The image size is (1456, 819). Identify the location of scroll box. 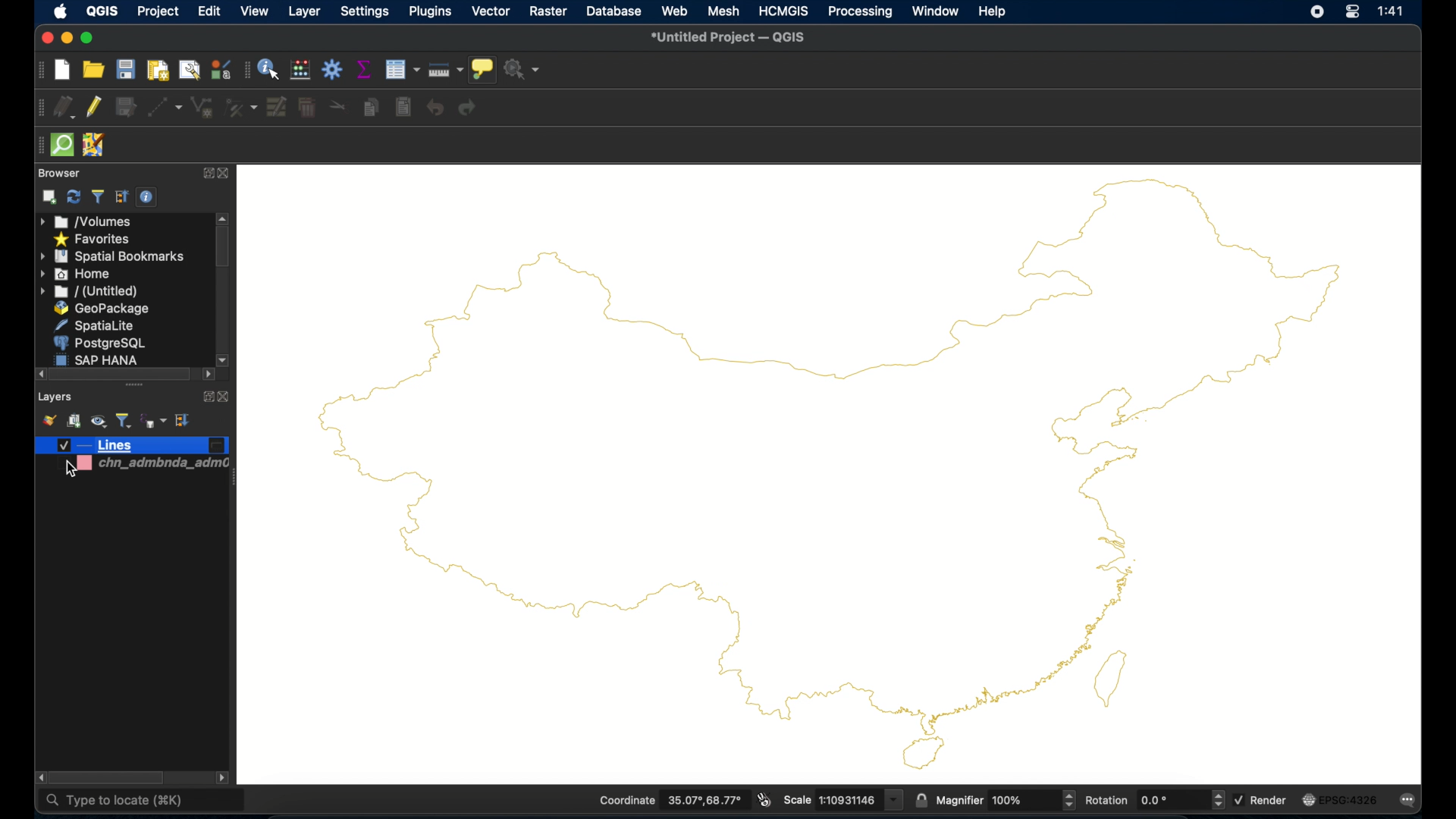
(119, 374).